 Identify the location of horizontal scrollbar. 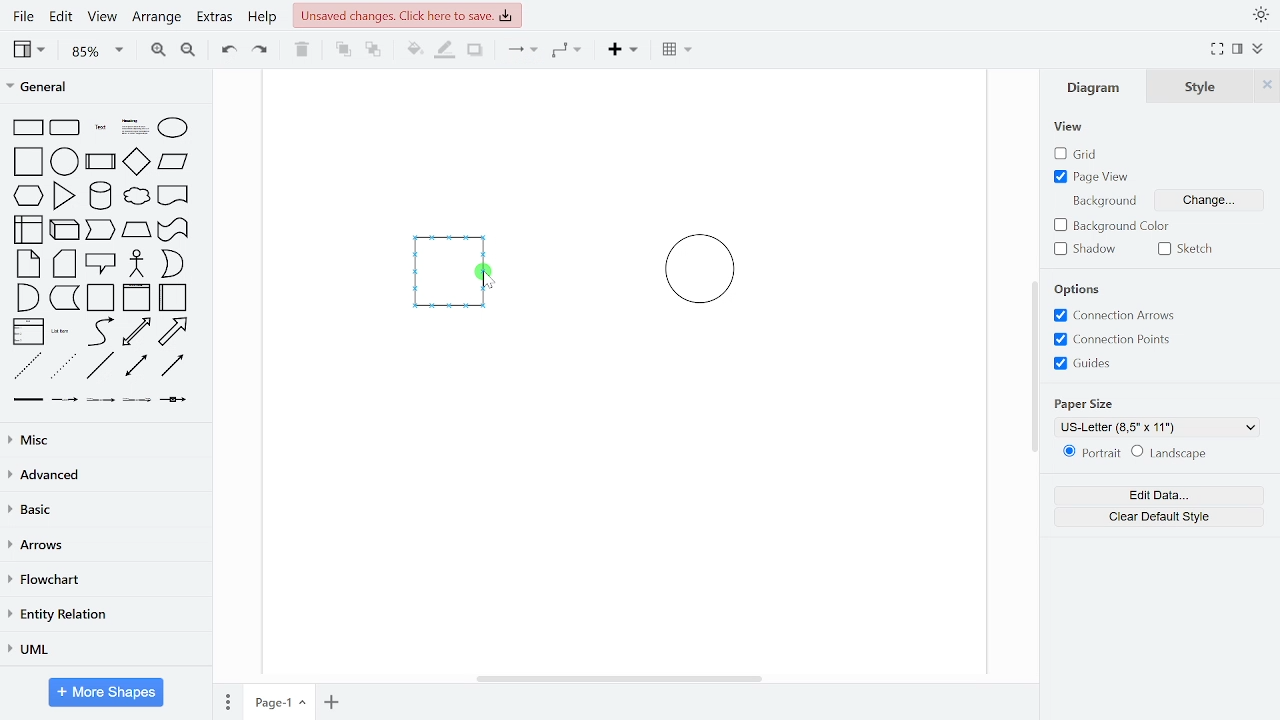
(622, 678).